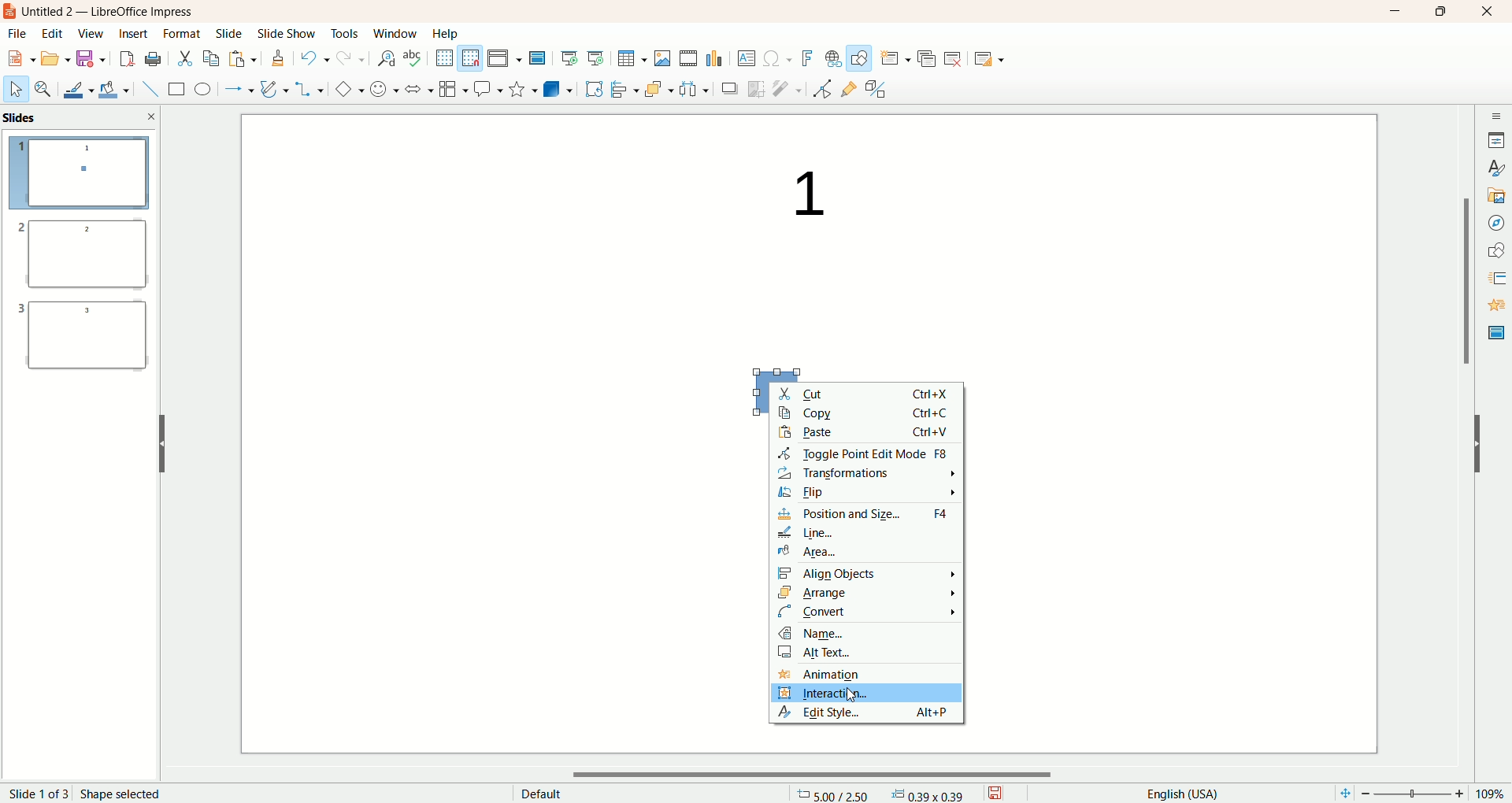 This screenshot has height=803, width=1512. I want to click on view, so click(88, 35).